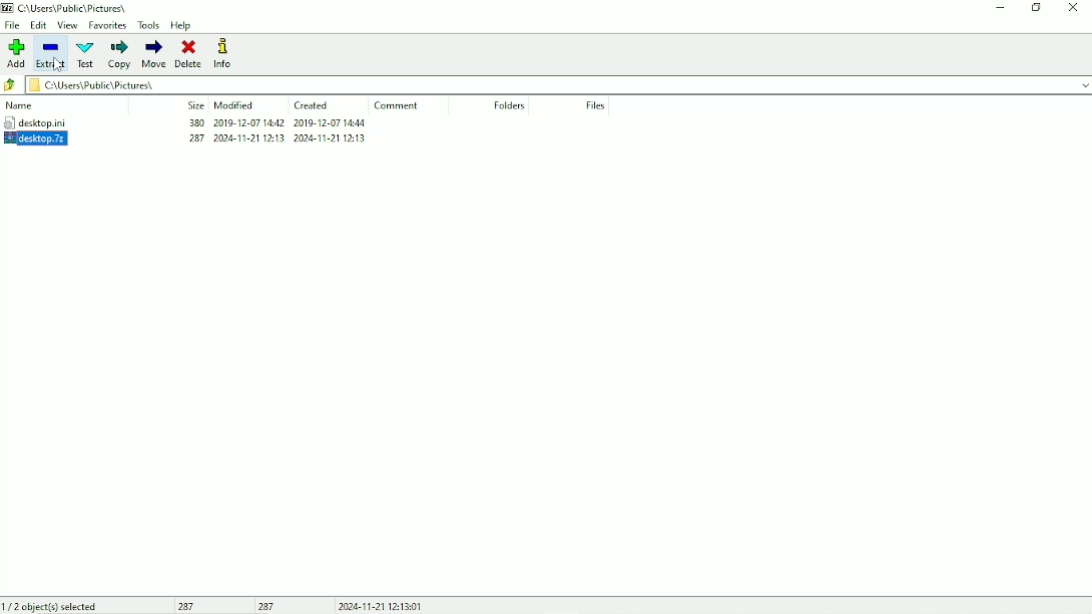 This screenshot has width=1092, height=614. Describe the element at coordinates (68, 26) in the screenshot. I see `View` at that location.